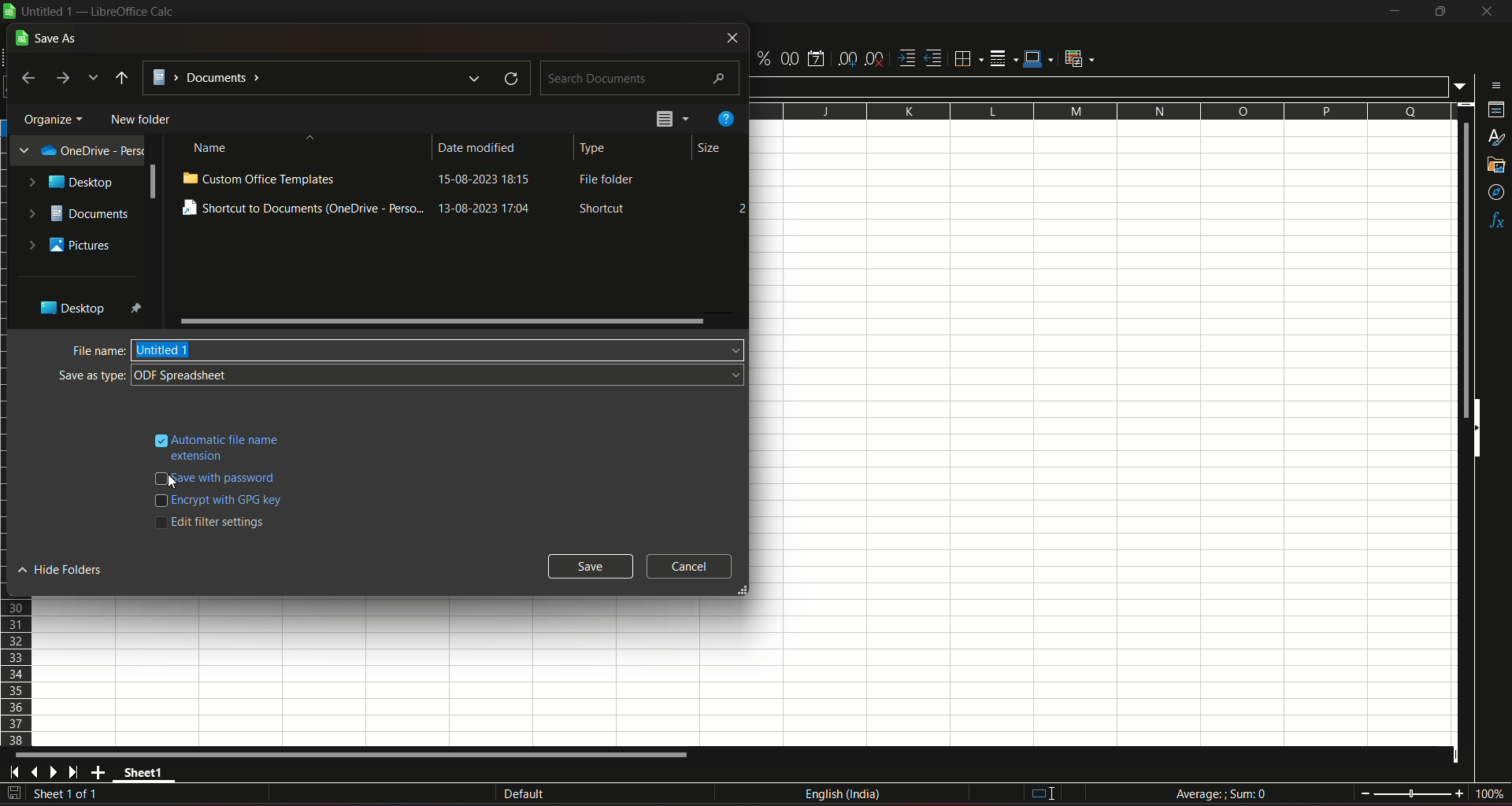  Describe the element at coordinates (65, 79) in the screenshot. I see `next` at that location.